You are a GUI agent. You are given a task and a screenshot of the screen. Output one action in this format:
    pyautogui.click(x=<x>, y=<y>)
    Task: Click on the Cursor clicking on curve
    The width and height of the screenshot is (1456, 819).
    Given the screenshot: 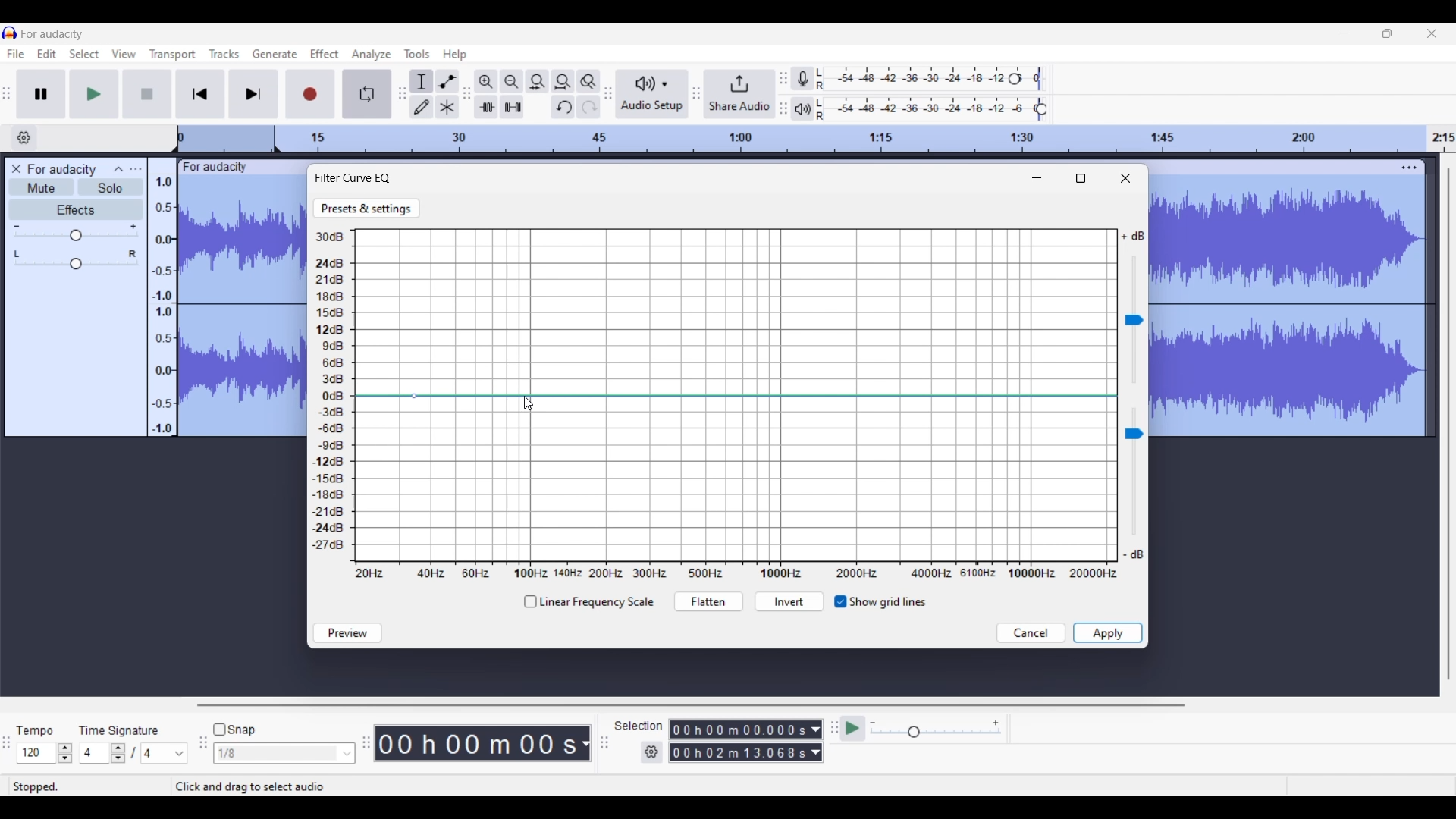 What is the action you would take?
    pyautogui.click(x=528, y=403)
    